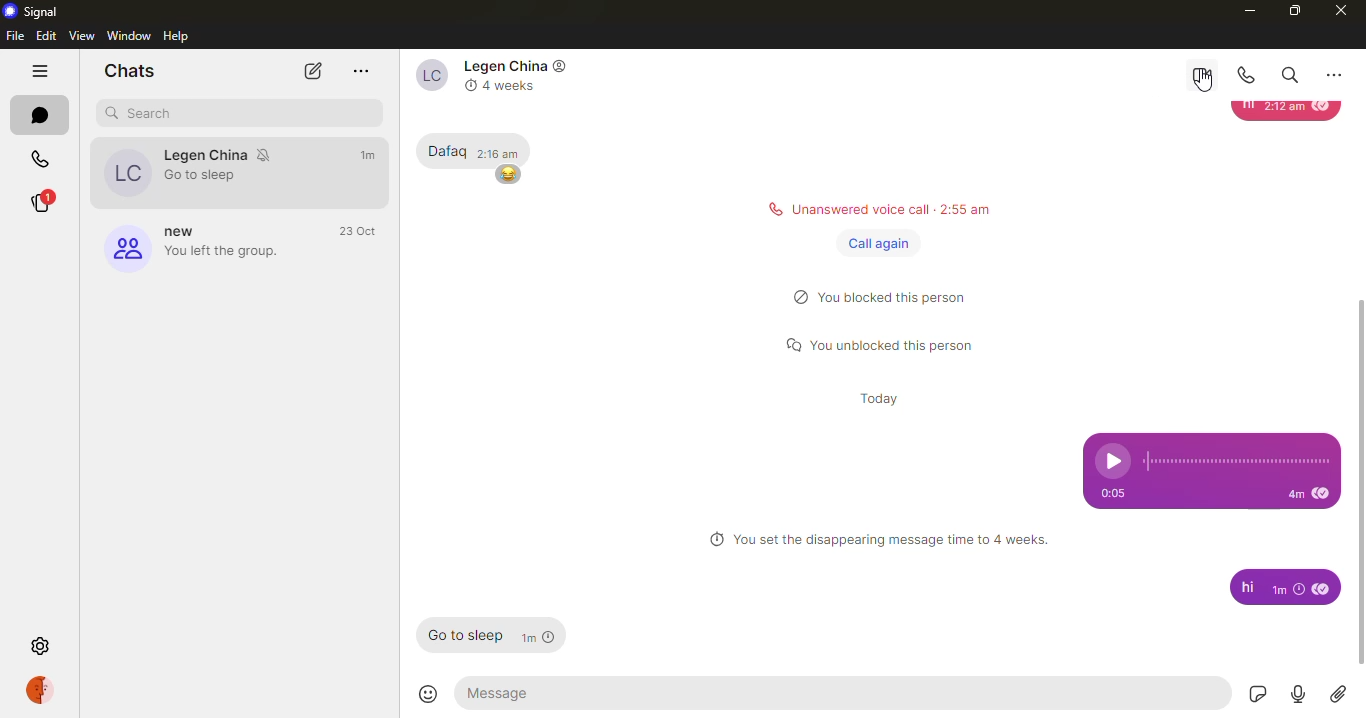  I want to click on chats, so click(130, 72).